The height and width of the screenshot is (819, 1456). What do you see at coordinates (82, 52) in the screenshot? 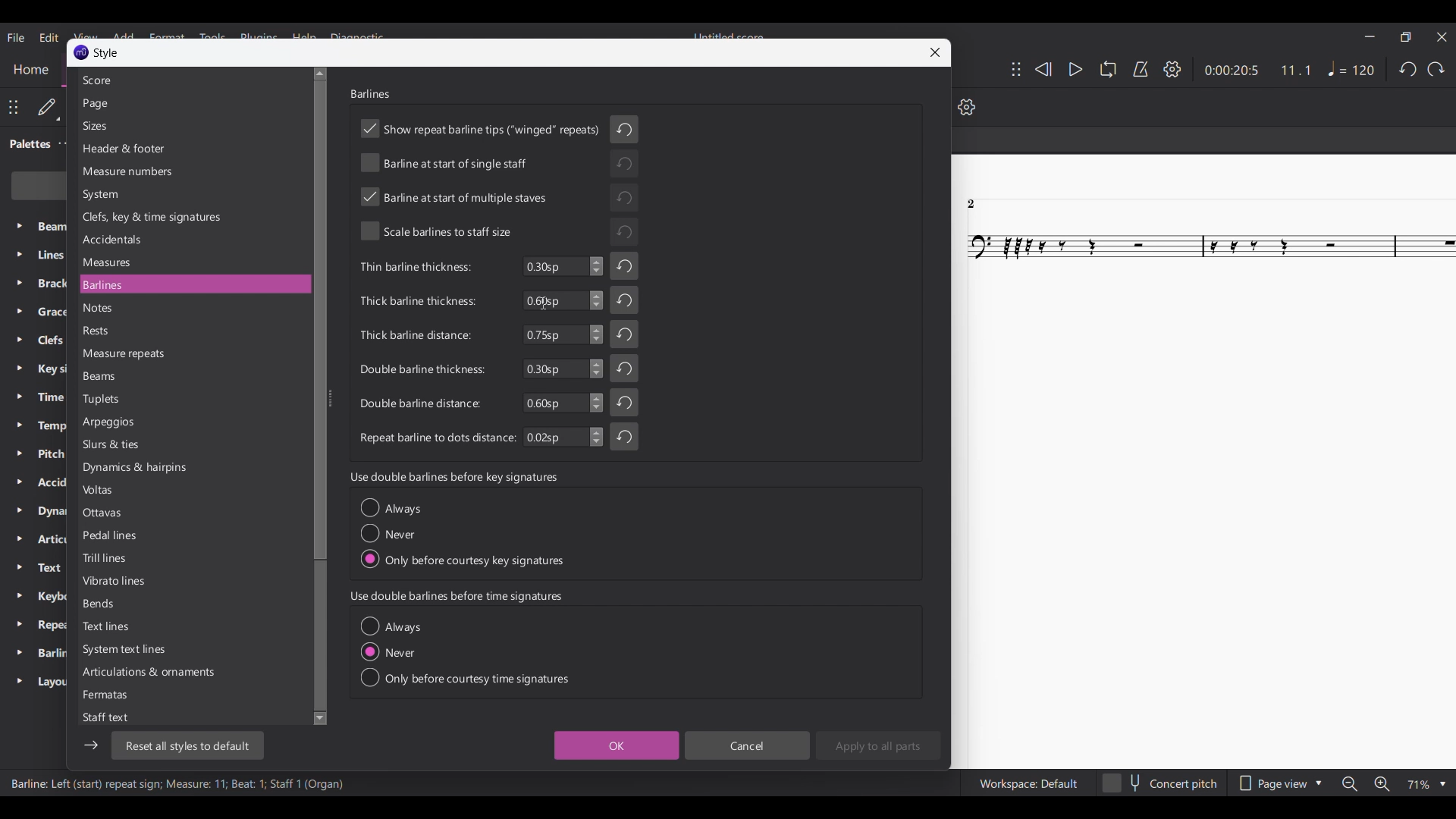
I see `Music Logo` at bounding box center [82, 52].